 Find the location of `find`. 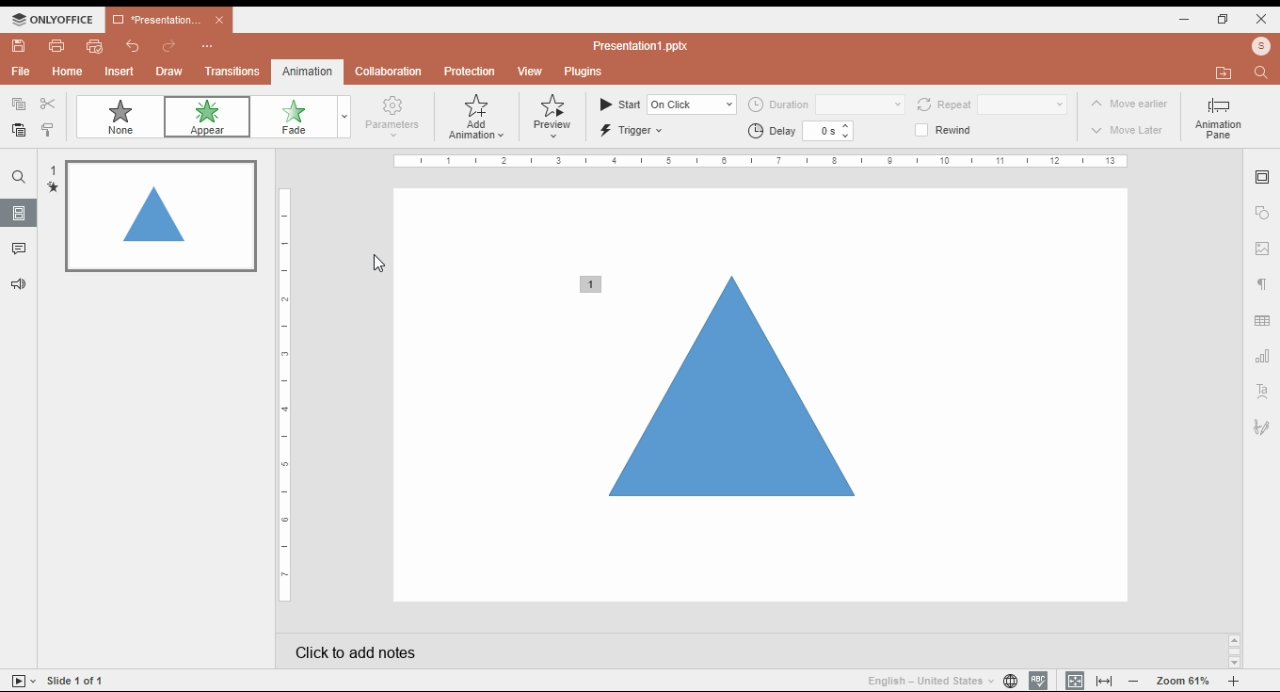

find is located at coordinates (1260, 73).